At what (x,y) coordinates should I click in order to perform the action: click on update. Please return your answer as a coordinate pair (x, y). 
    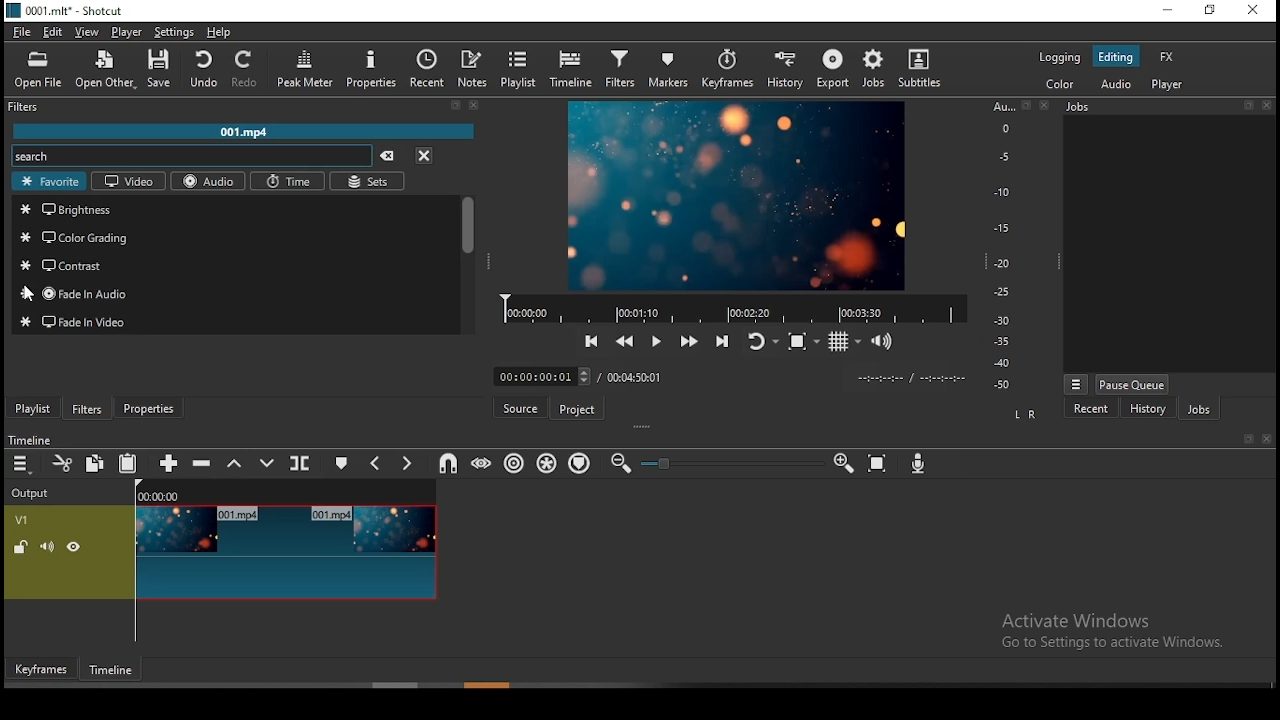
    Looking at the image, I should click on (161, 378).